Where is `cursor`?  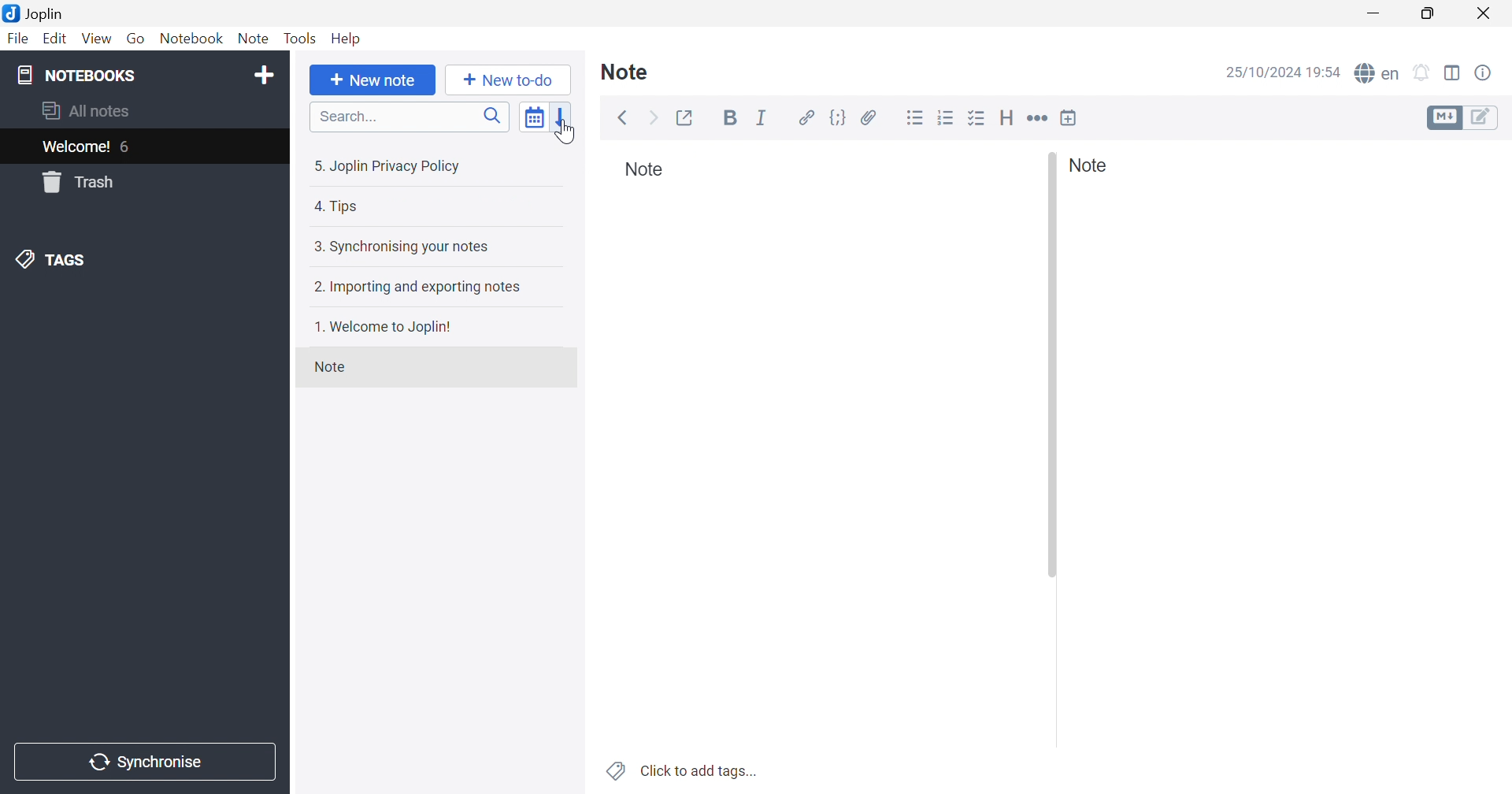 cursor is located at coordinates (567, 135).